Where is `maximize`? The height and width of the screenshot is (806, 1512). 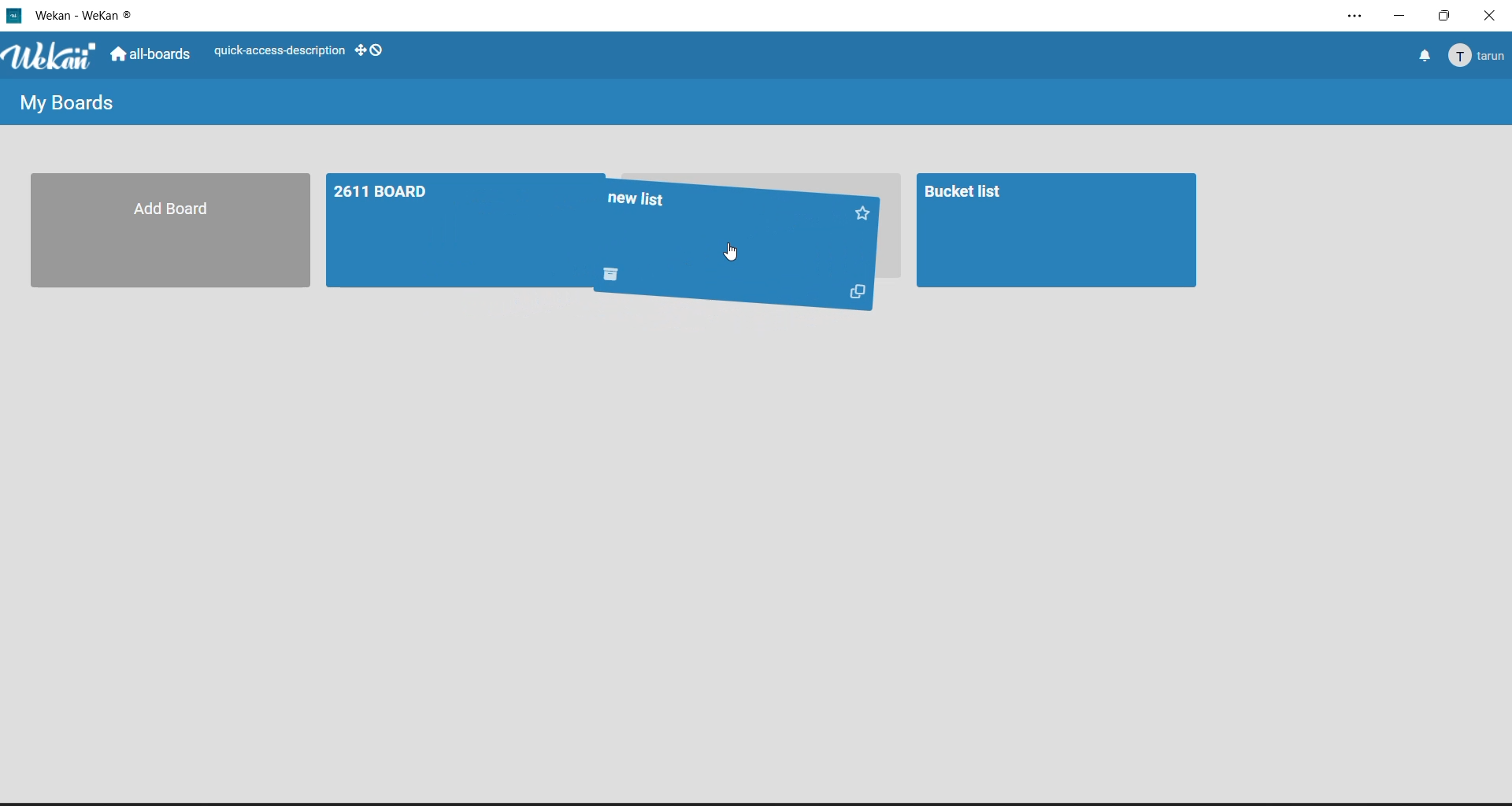 maximize is located at coordinates (1448, 19).